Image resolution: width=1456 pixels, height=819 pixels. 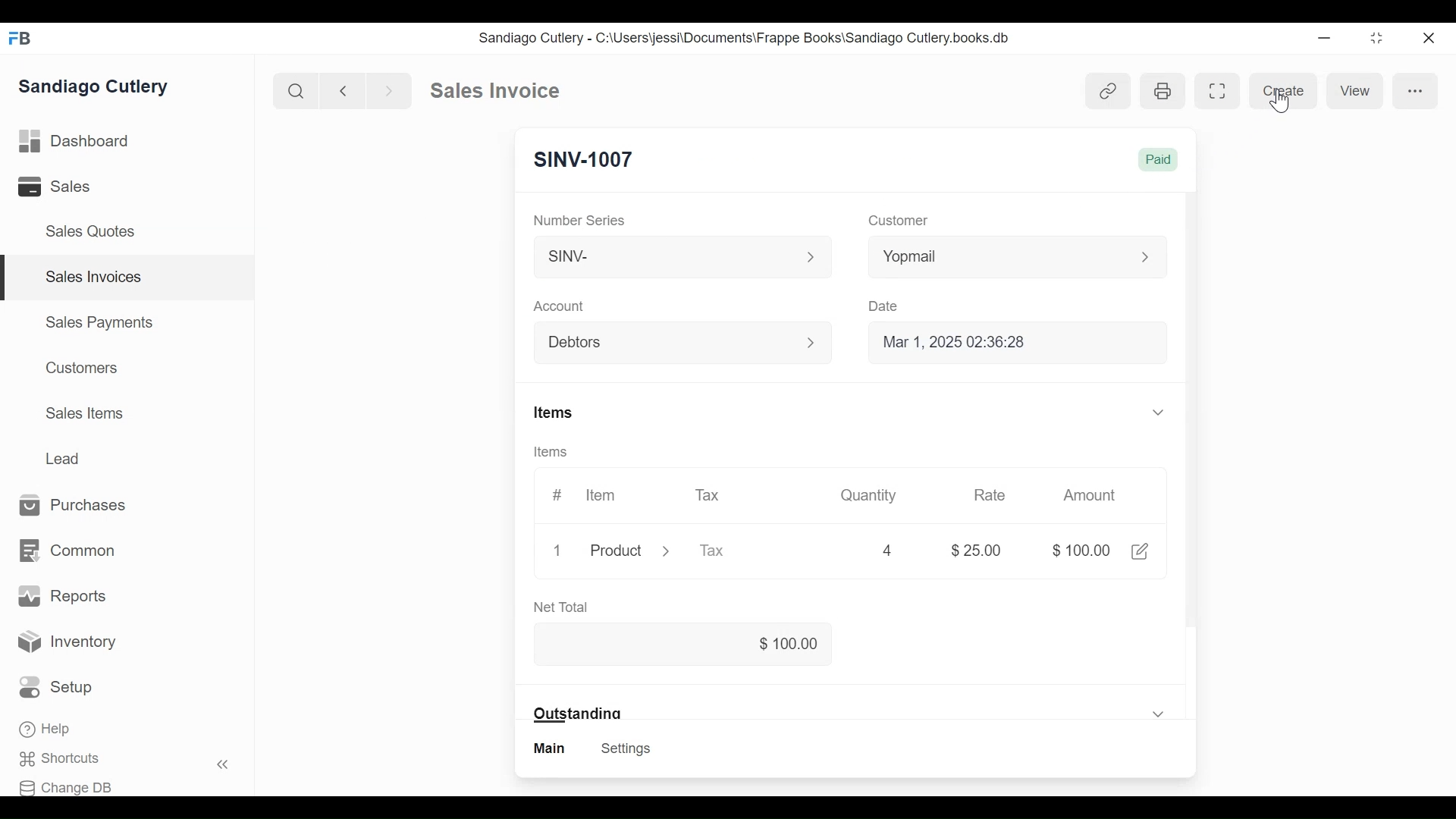 I want to click on Date, so click(x=883, y=306).